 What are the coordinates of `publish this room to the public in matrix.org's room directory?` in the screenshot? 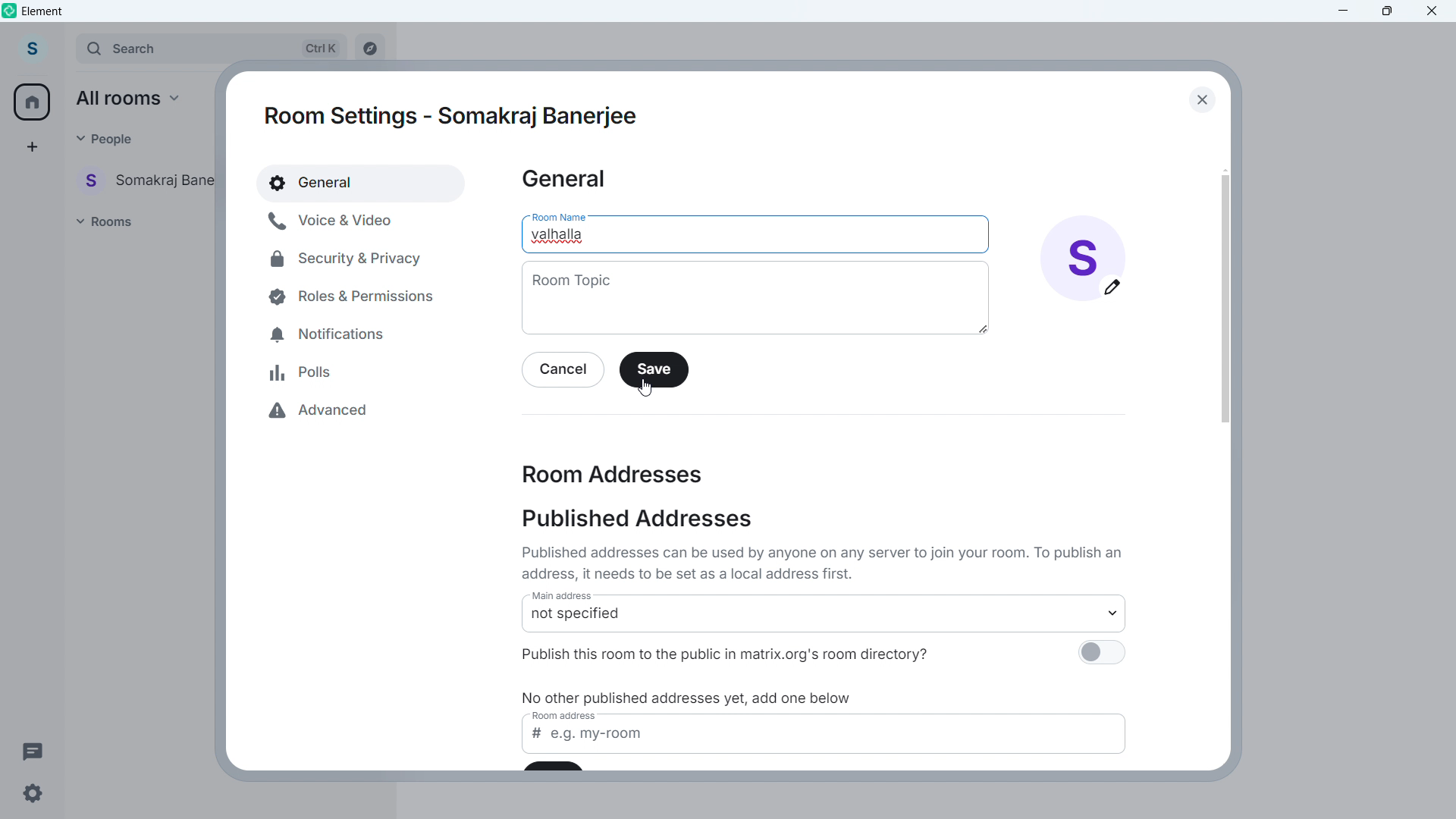 It's located at (748, 653).